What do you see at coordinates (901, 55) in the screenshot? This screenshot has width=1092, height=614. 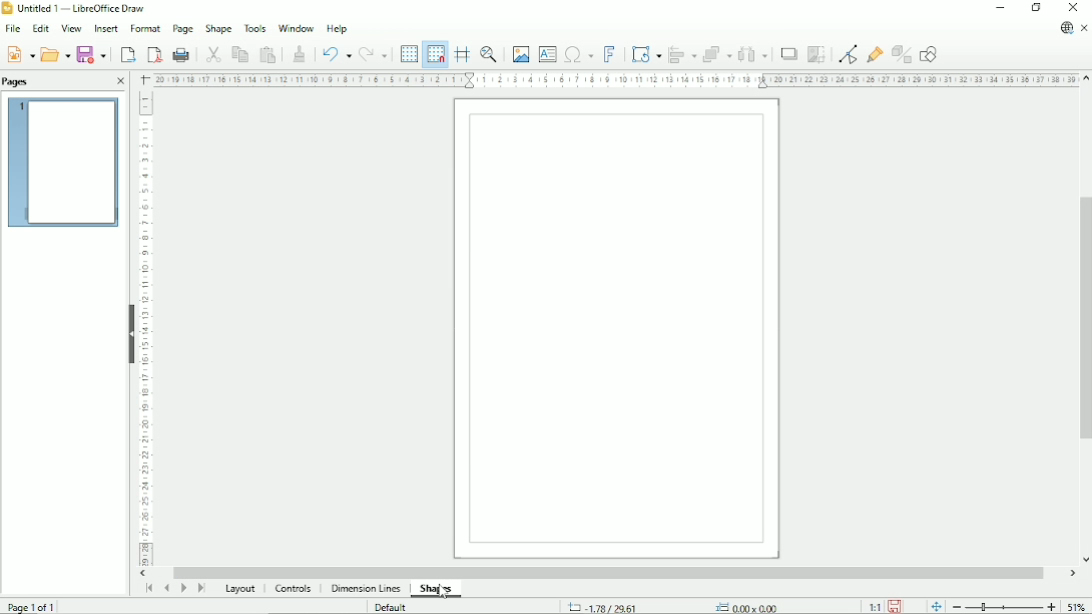 I see `Toggle extrusion` at bounding box center [901, 55].